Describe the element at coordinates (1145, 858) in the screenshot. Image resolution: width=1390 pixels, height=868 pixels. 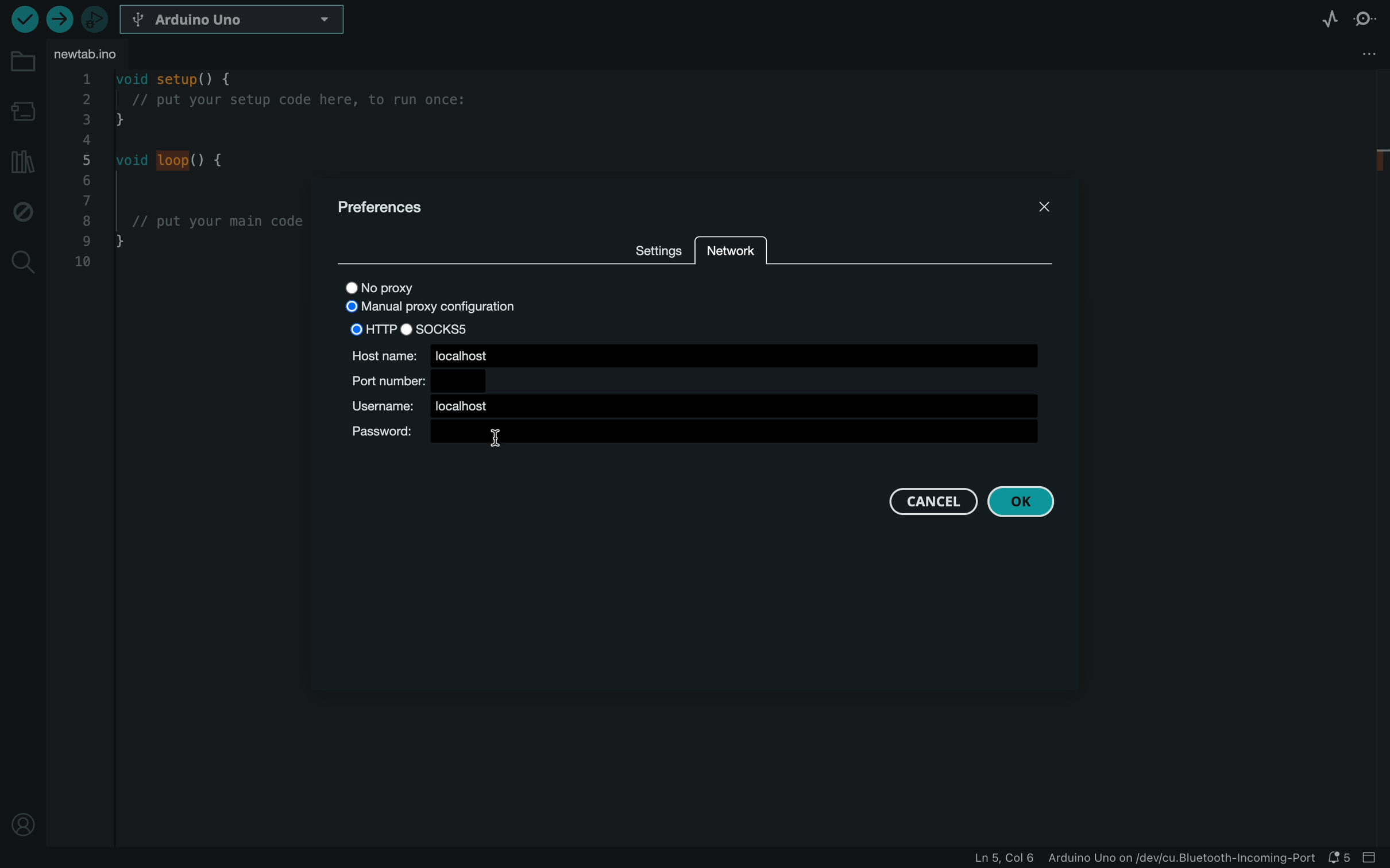
I see `file information` at that location.